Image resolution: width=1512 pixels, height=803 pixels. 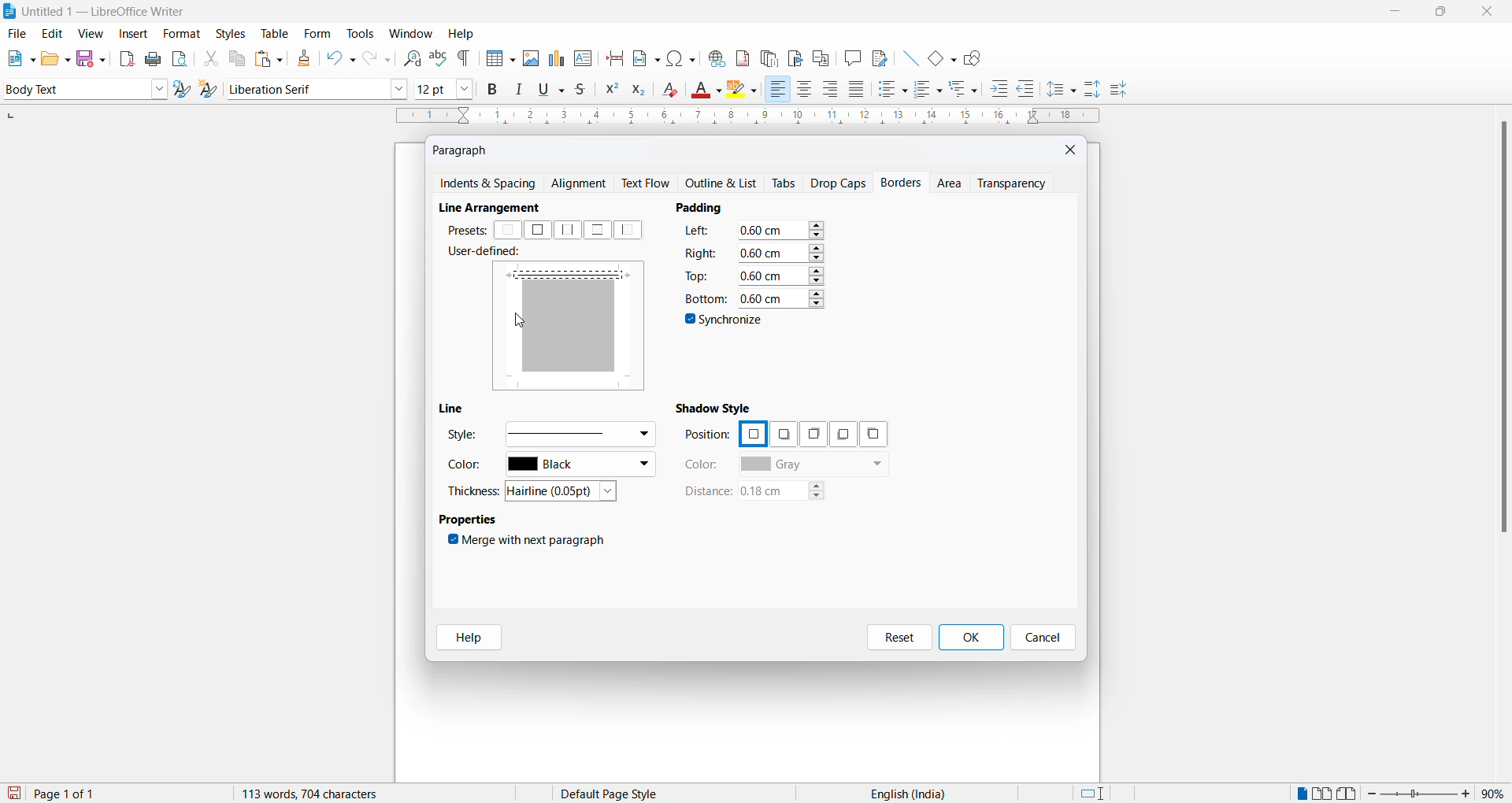 I want to click on underline, so click(x=554, y=89).